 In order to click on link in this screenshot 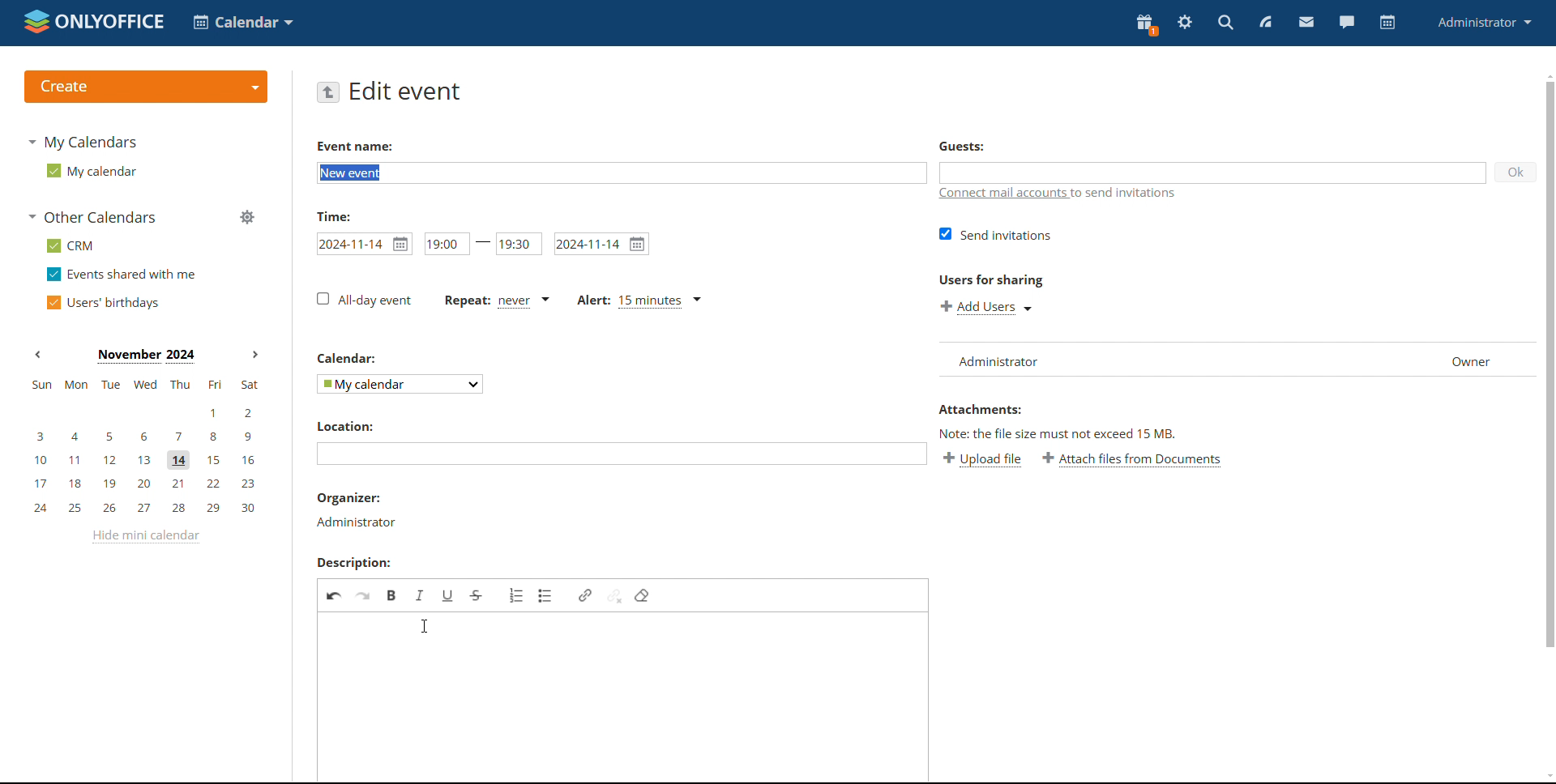, I will do `click(585, 595)`.